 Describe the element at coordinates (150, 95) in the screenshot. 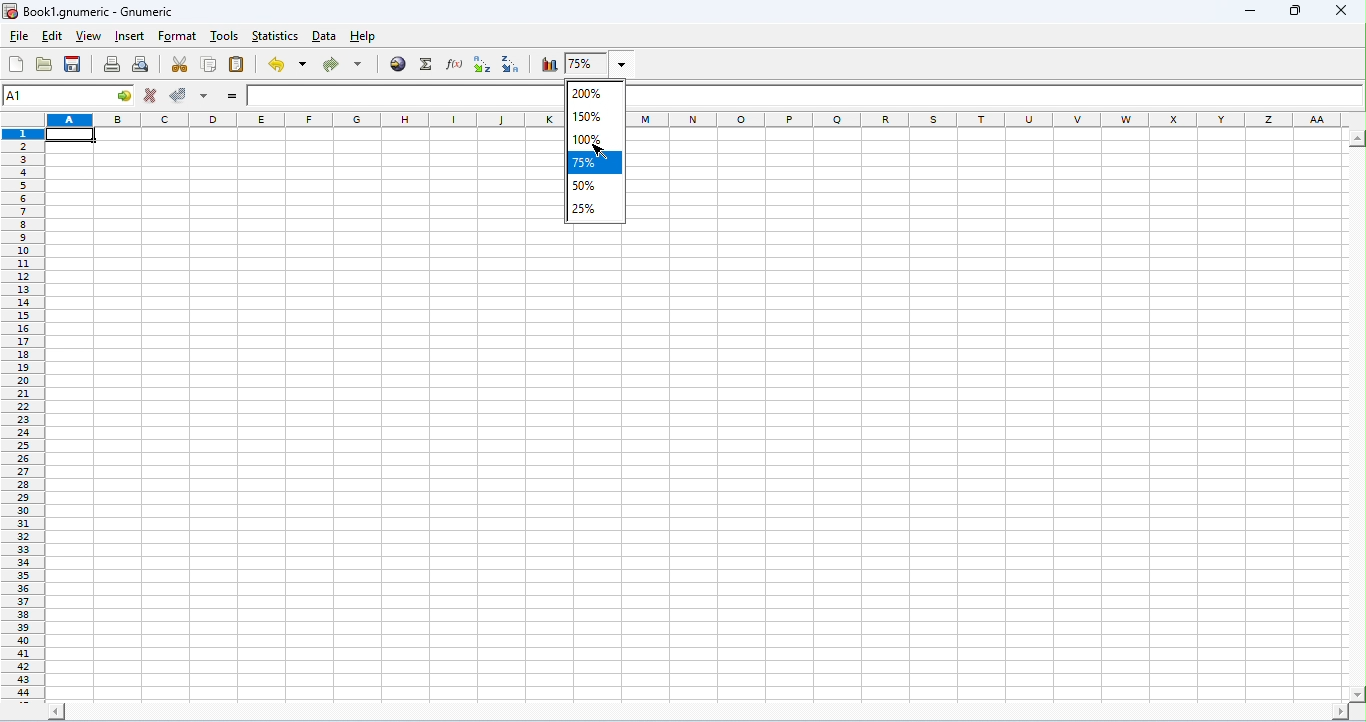

I see `reject` at that location.